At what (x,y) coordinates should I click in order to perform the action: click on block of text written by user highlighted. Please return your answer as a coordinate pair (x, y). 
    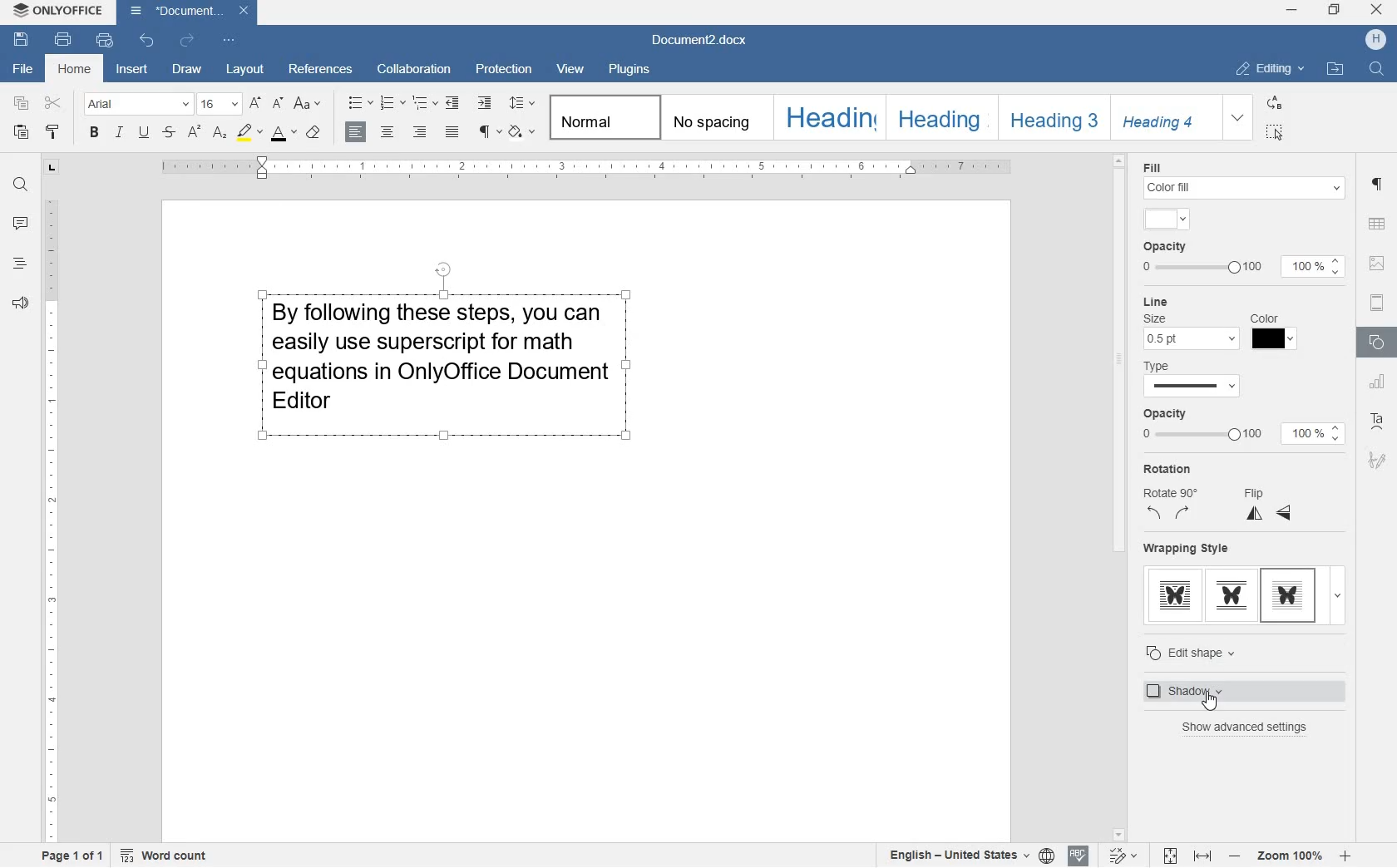
    Looking at the image, I should click on (448, 353).